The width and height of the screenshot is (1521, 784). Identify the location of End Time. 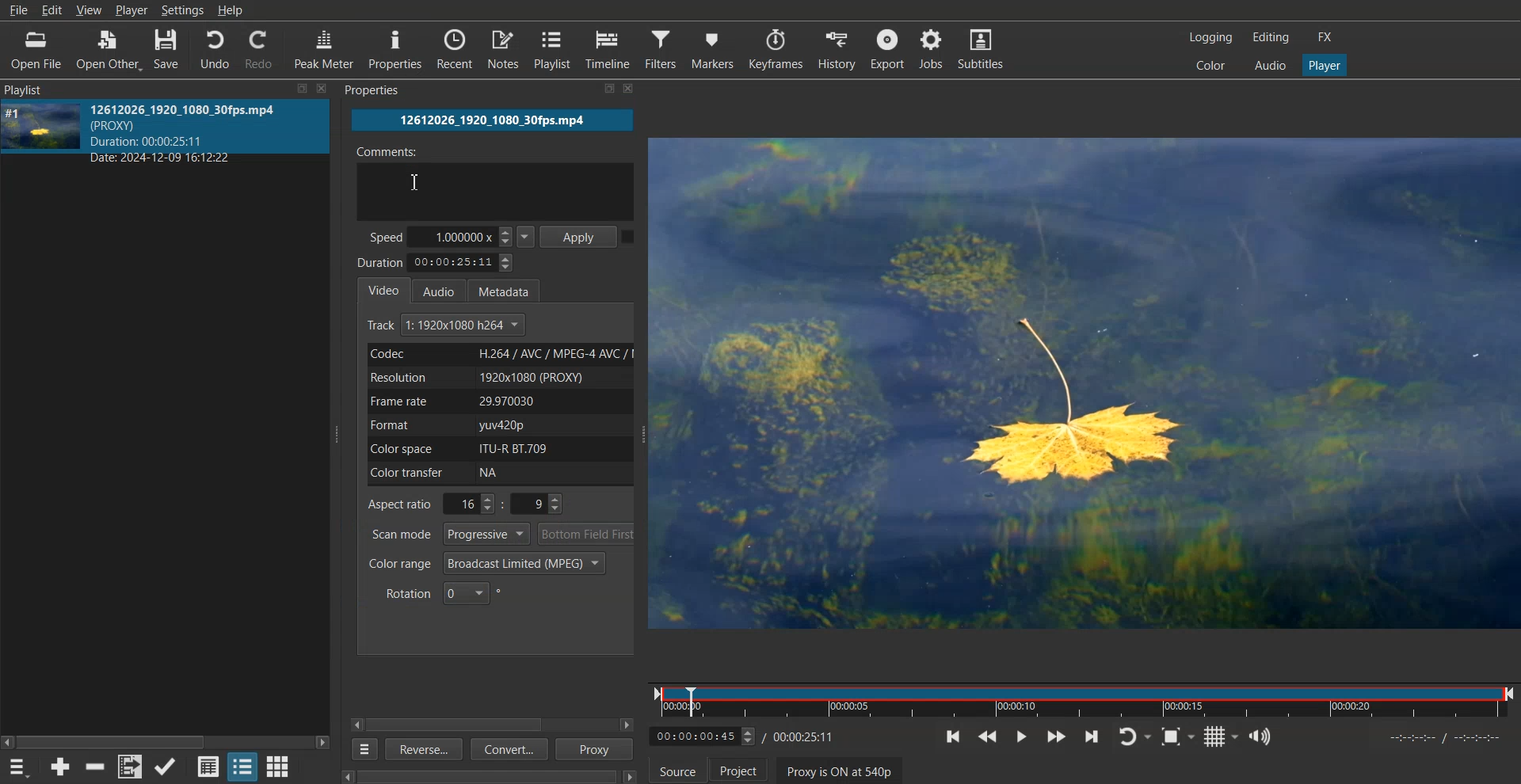
(806, 736).